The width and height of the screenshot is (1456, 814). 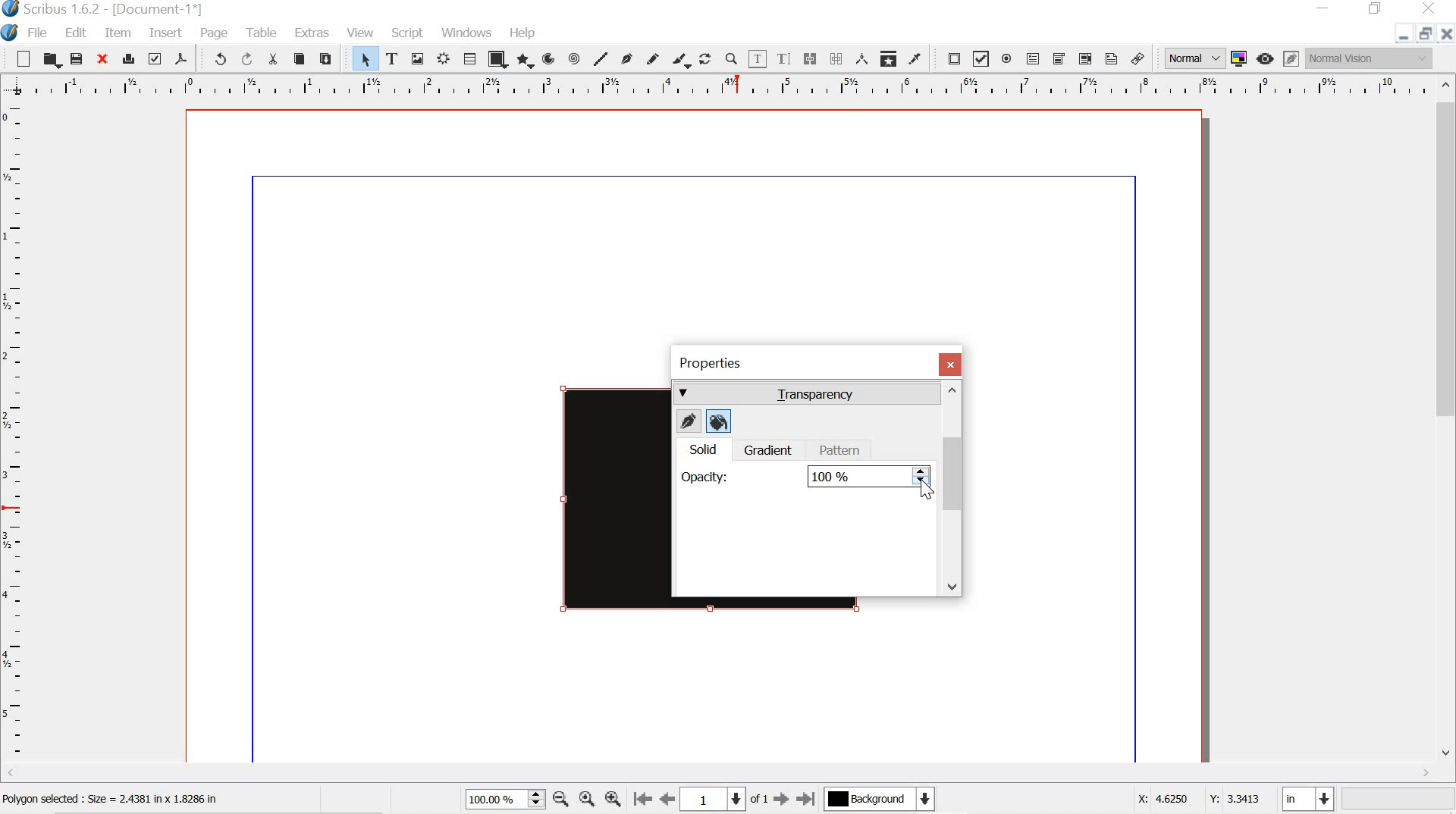 I want to click on open, so click(x=50, y=58).